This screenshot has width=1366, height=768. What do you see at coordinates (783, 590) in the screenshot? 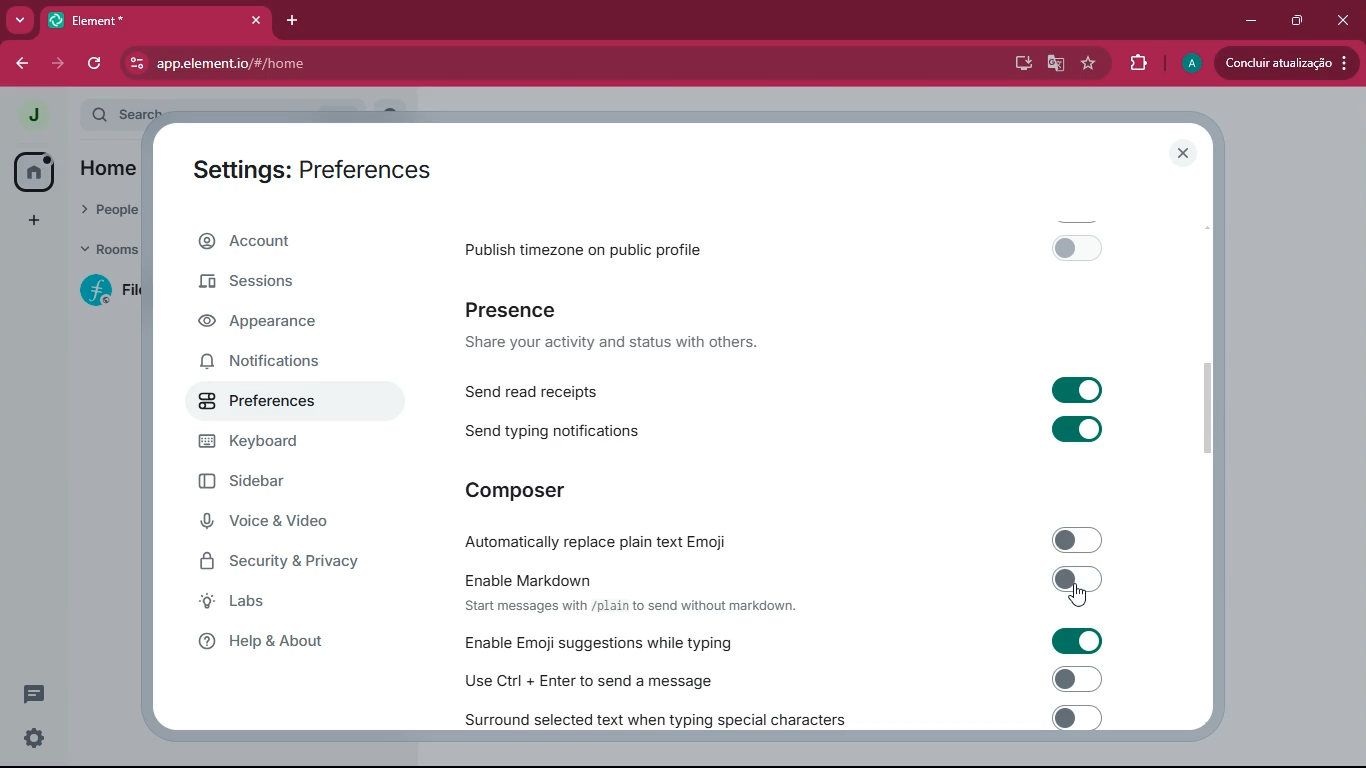
I see `enable markdown (Unabled)` at bounding box center [783, 590].